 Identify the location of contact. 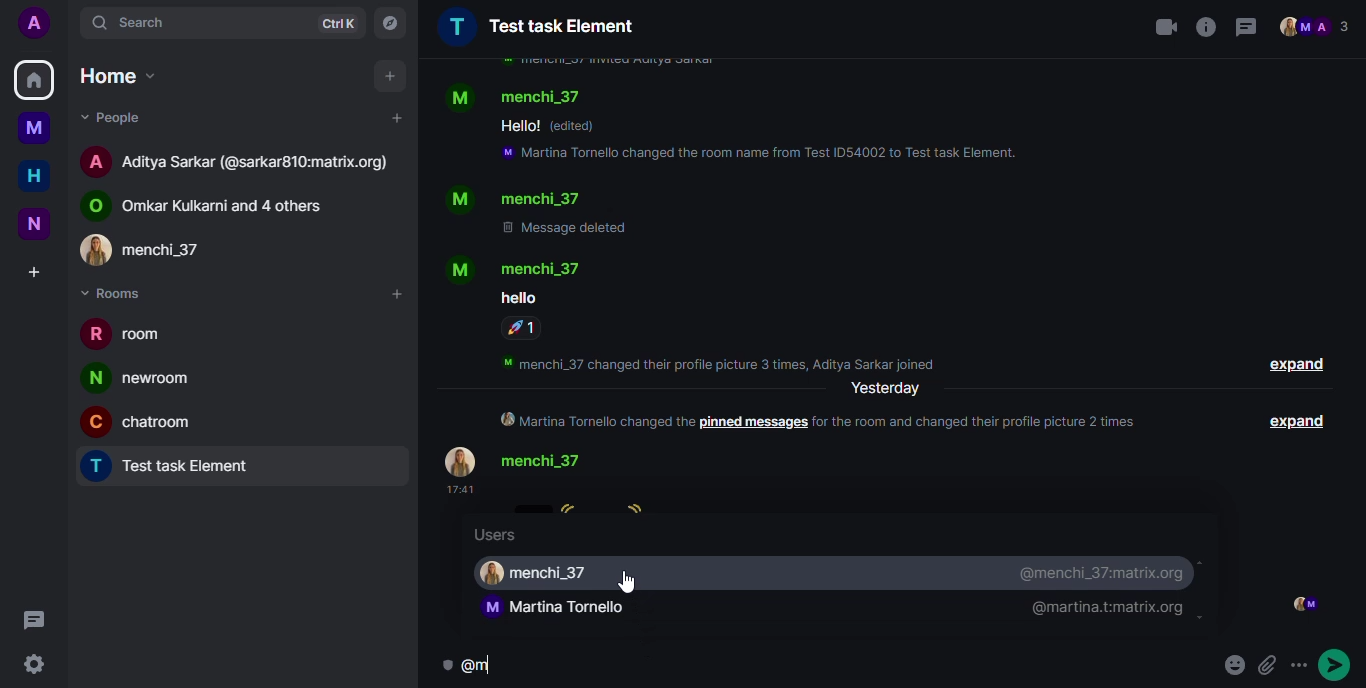
(159, 248).